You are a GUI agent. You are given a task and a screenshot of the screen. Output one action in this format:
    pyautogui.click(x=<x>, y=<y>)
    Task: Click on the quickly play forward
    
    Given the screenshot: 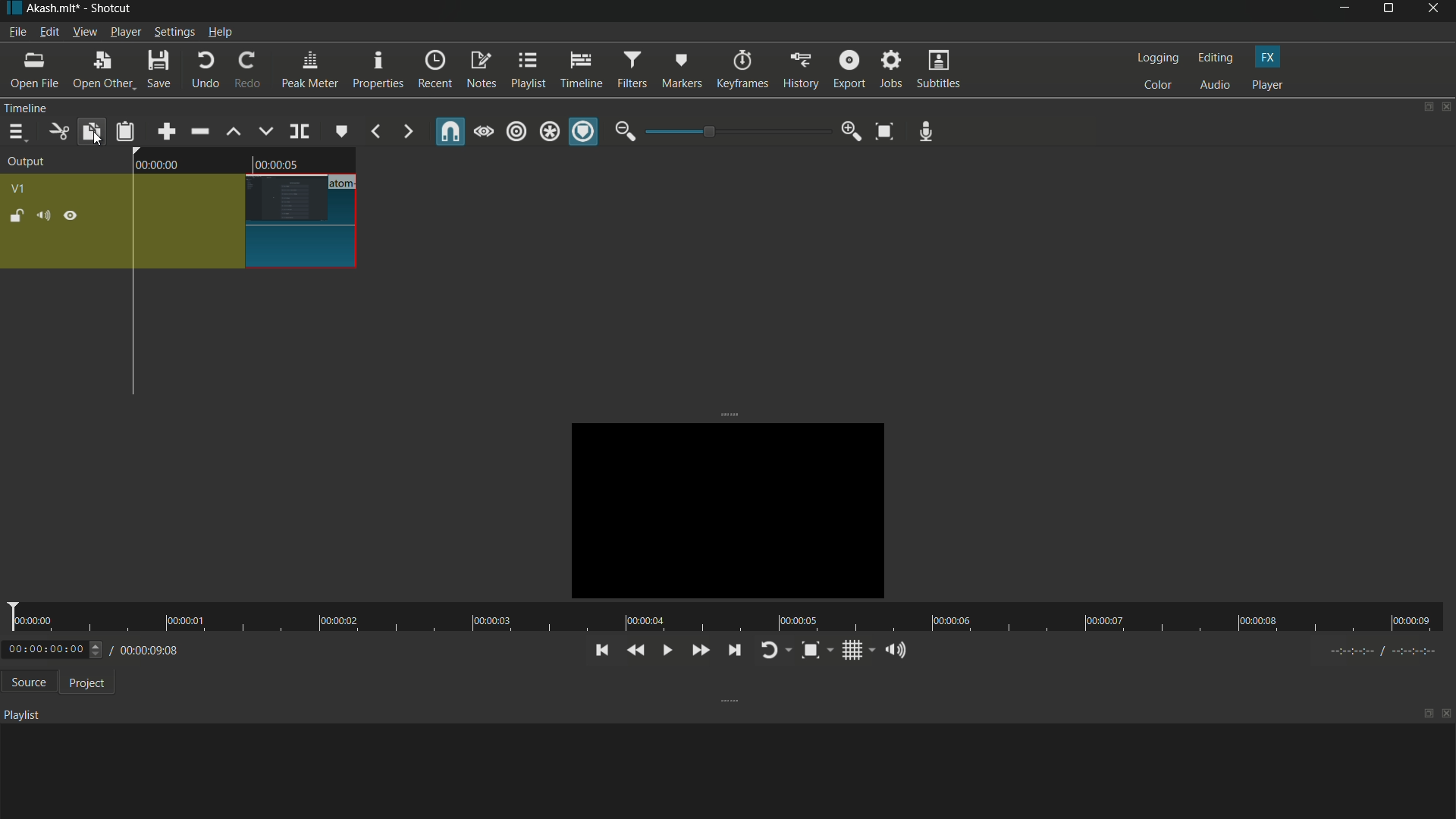 What is the action you would take?
    pyautogui.click(x=698, y=651)
    